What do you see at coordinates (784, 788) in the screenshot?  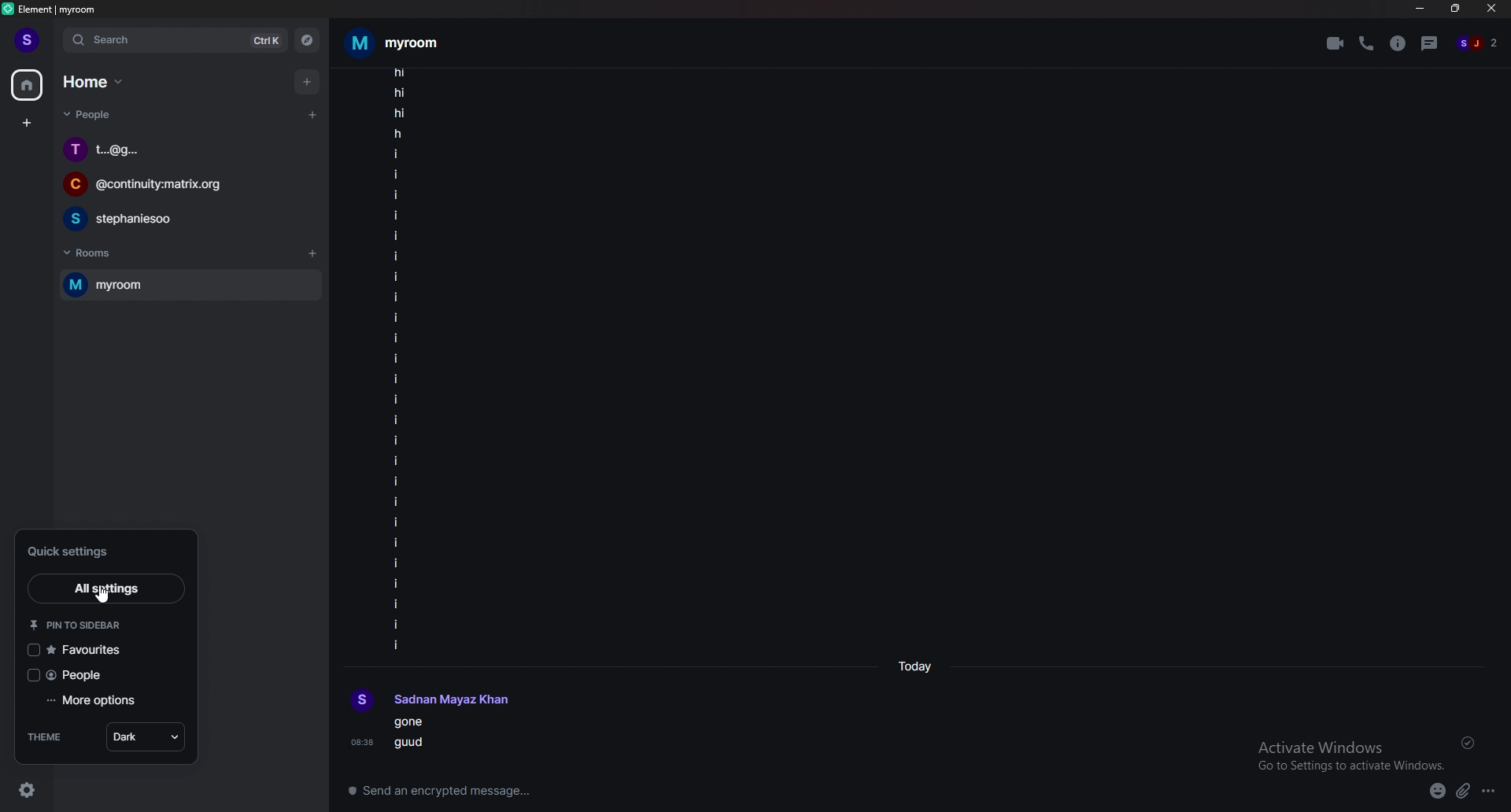 I see `text input` at bounding box center [784, 788].